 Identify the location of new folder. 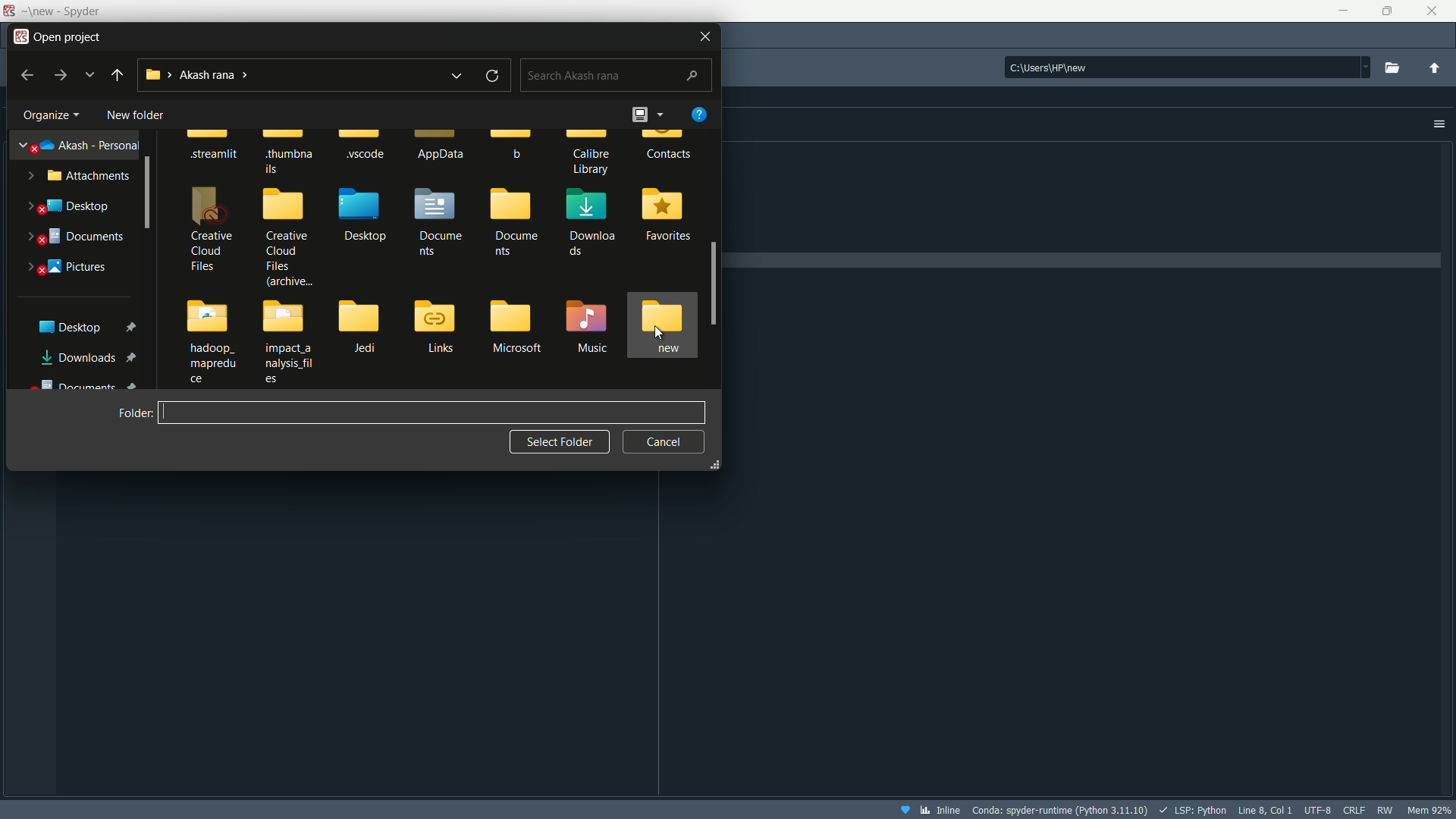
(134, 115).